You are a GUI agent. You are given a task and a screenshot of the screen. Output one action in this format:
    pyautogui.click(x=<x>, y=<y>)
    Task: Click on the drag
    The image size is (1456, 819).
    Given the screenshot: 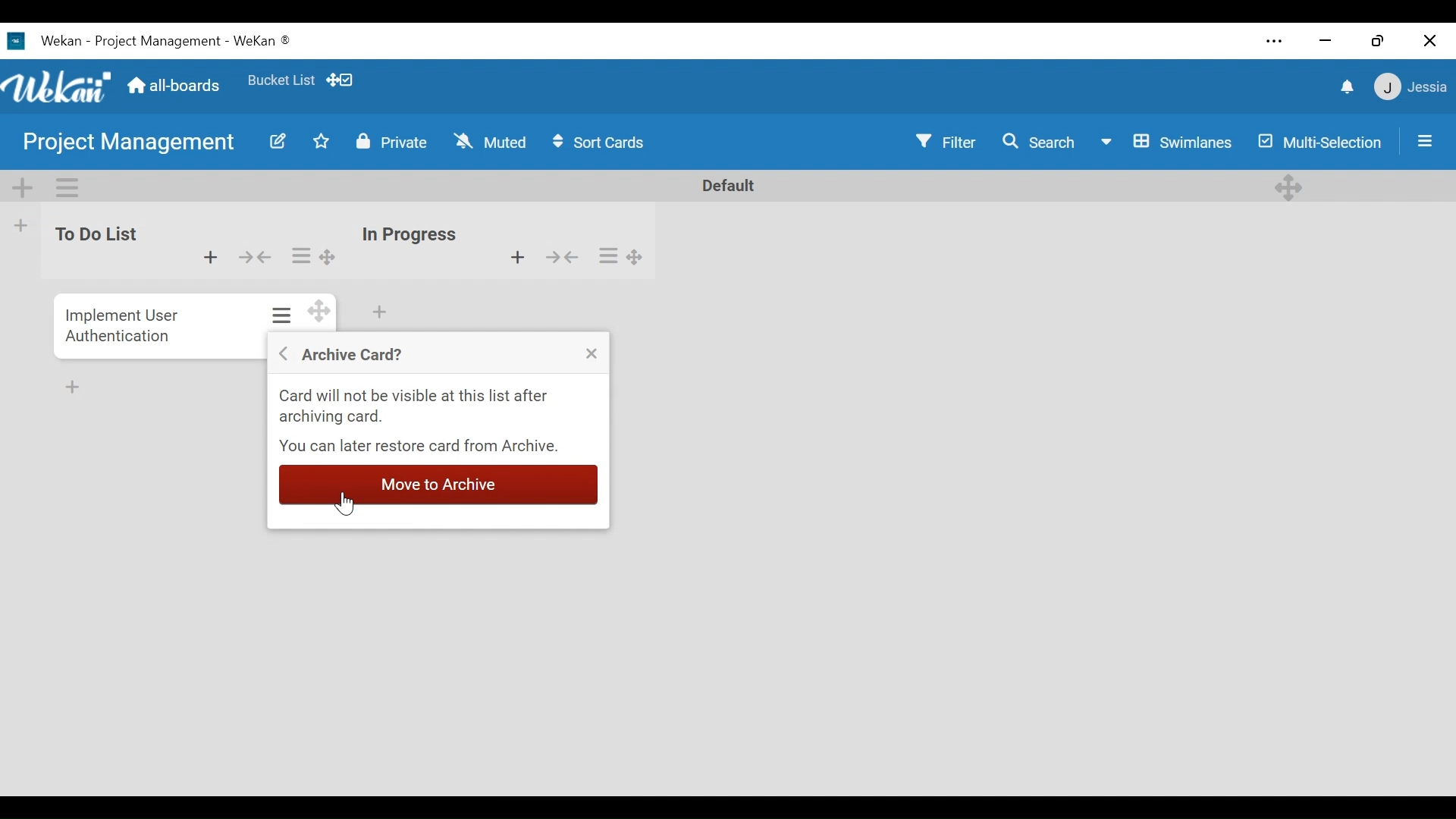 What is the action you would take?
    pyautogui.click(x=317, y=314)
    